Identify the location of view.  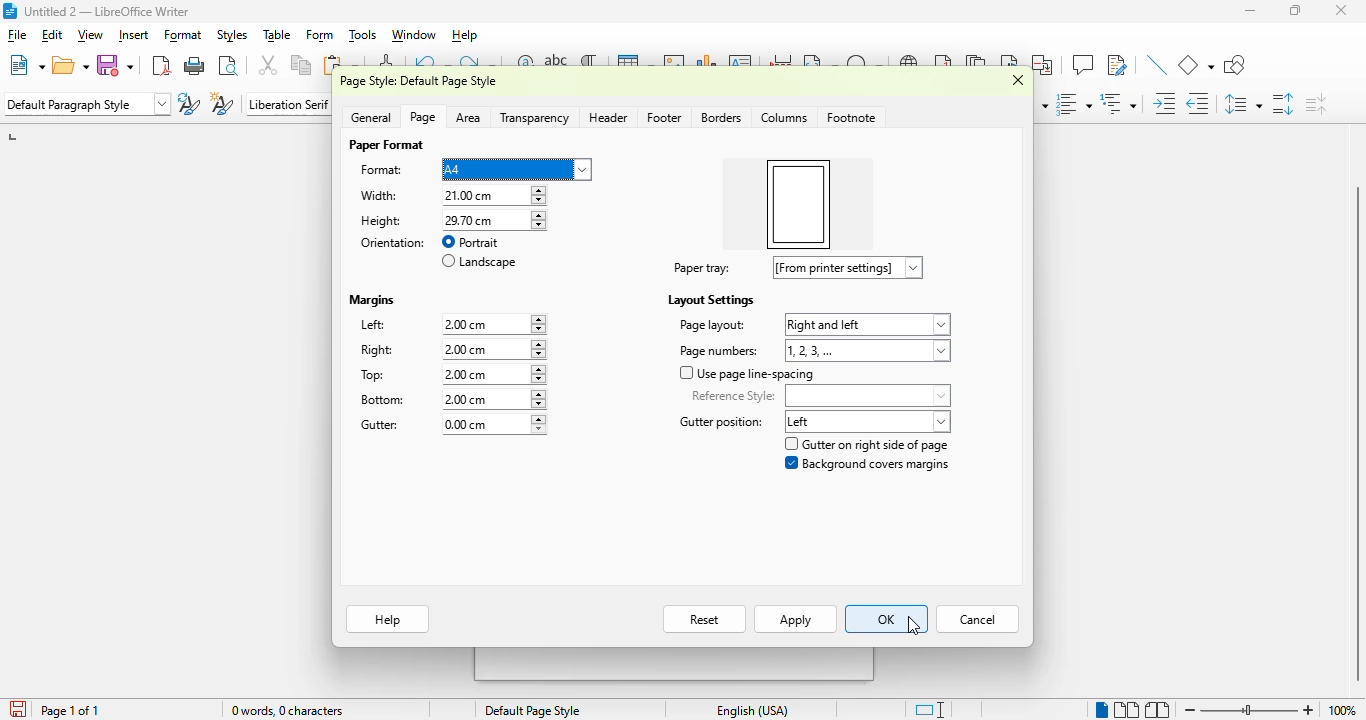
(90, 34).